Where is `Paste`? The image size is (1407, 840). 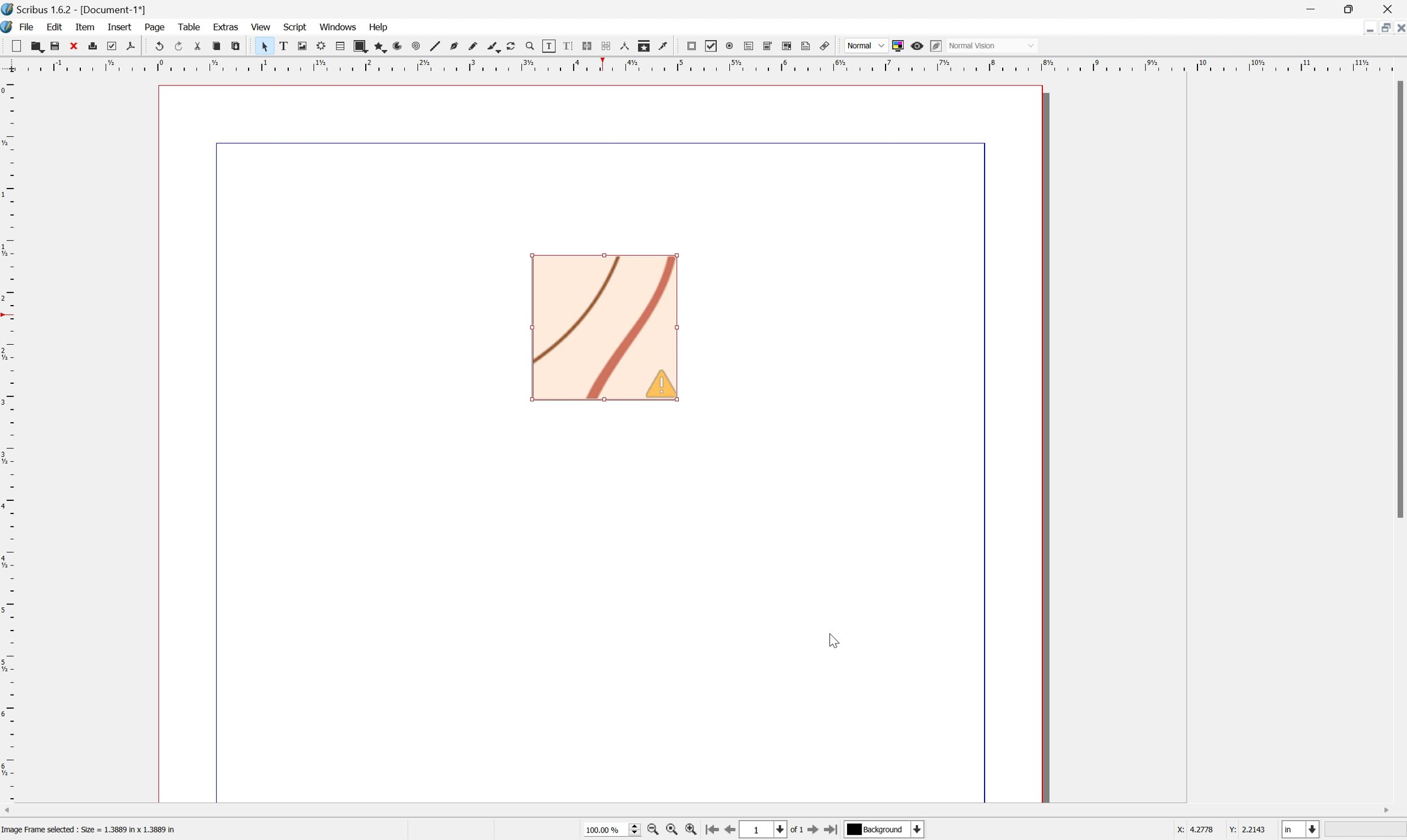 Paste is located at coordinates (237, 44).